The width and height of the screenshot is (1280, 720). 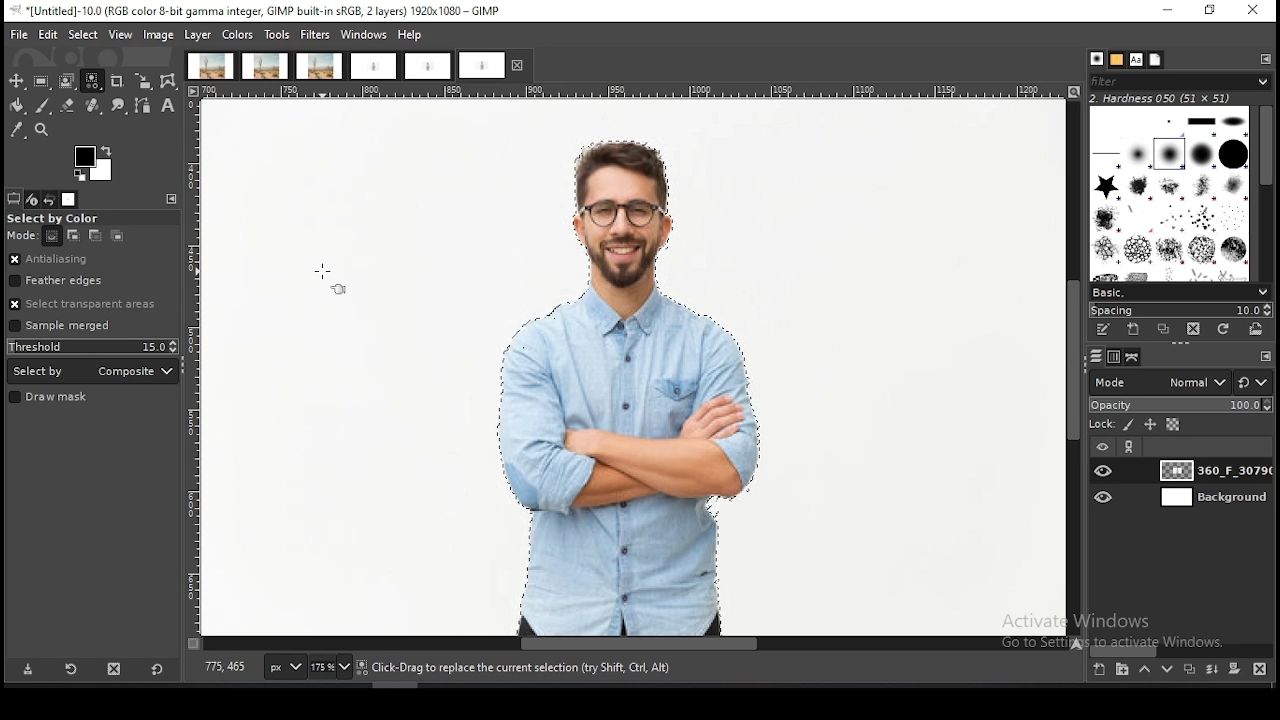 I want to click on colors, so click(x=95, y=164).